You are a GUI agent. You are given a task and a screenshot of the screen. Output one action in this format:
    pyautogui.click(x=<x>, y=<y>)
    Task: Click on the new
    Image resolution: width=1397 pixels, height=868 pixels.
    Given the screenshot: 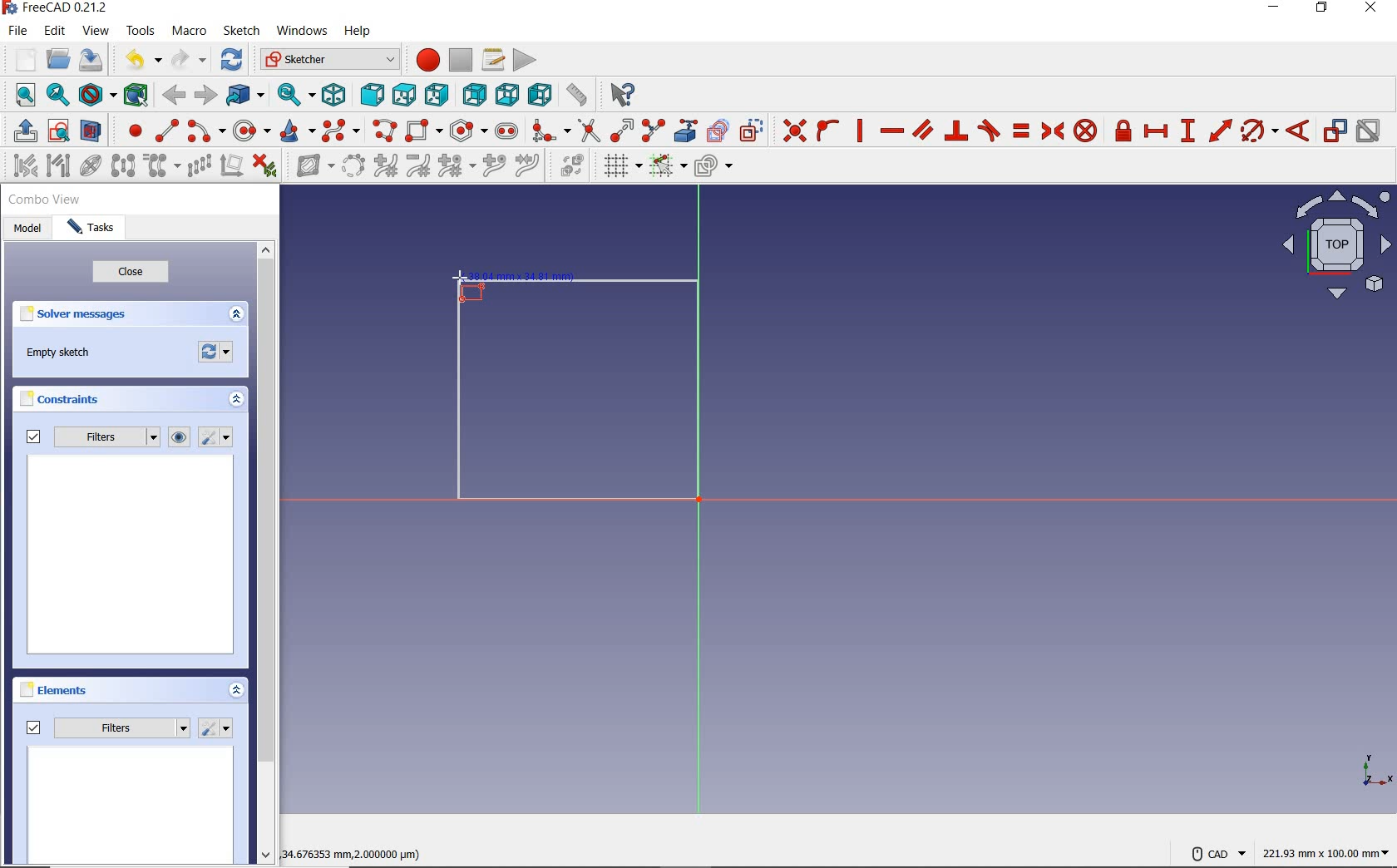 What is the action you would take?
    pyautogui.click(x=20, y=57)
    